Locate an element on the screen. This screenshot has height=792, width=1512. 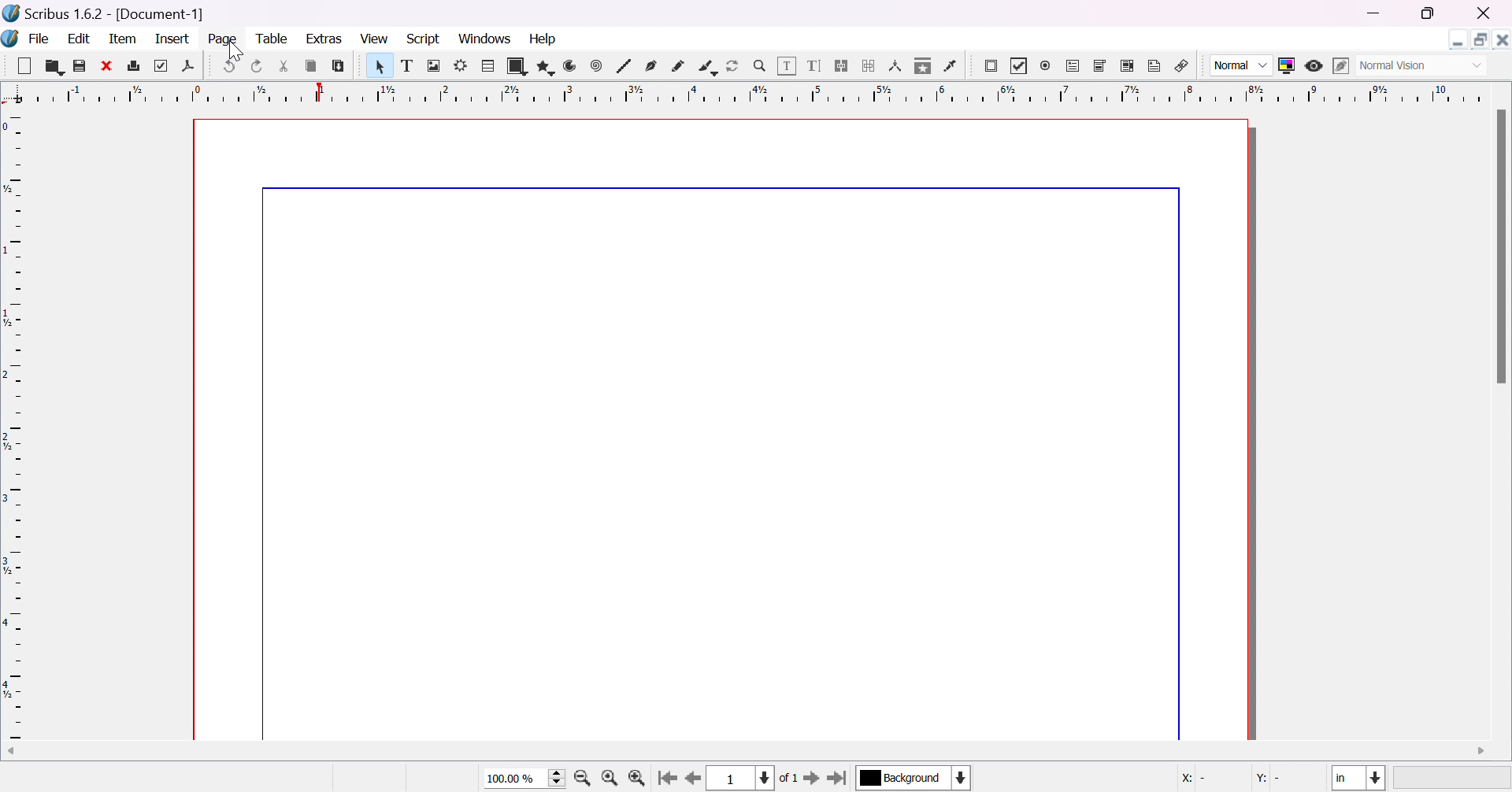
link text frames is located at coordinates (844, 67).